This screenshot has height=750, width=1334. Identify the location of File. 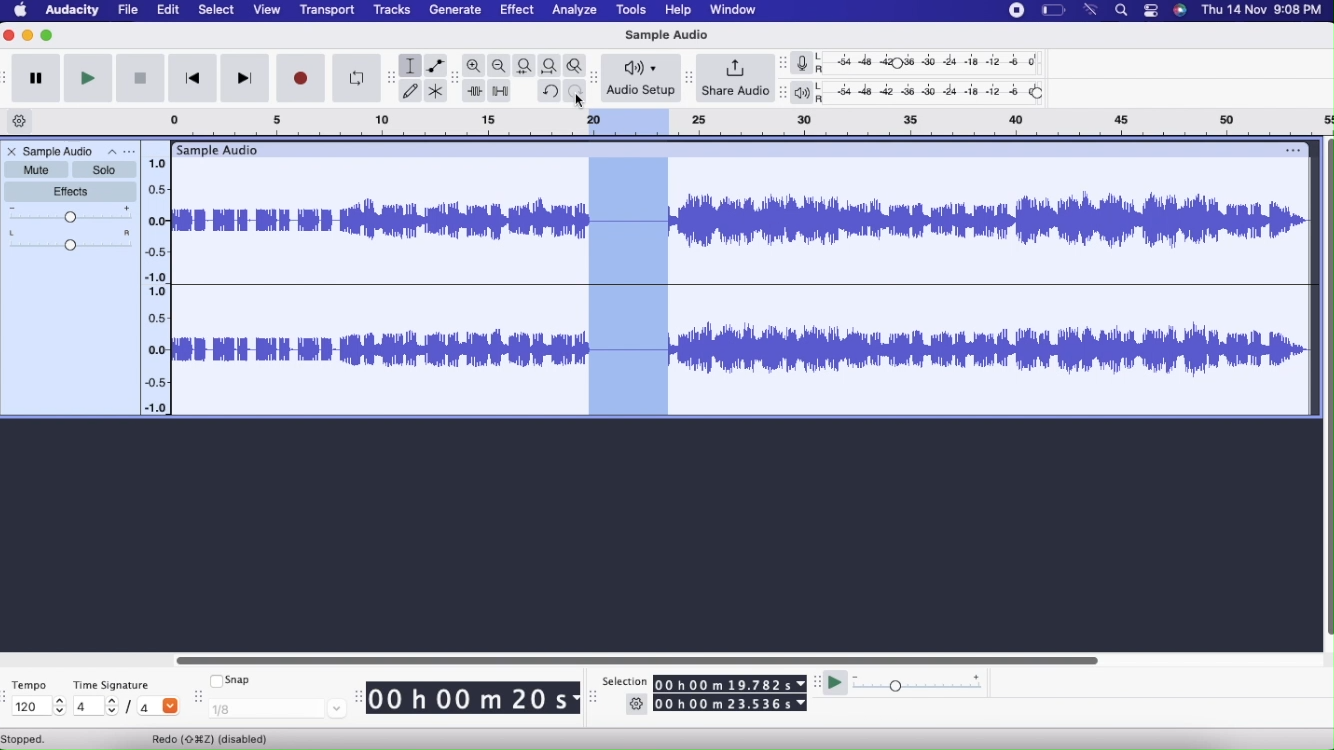
(127, 10).